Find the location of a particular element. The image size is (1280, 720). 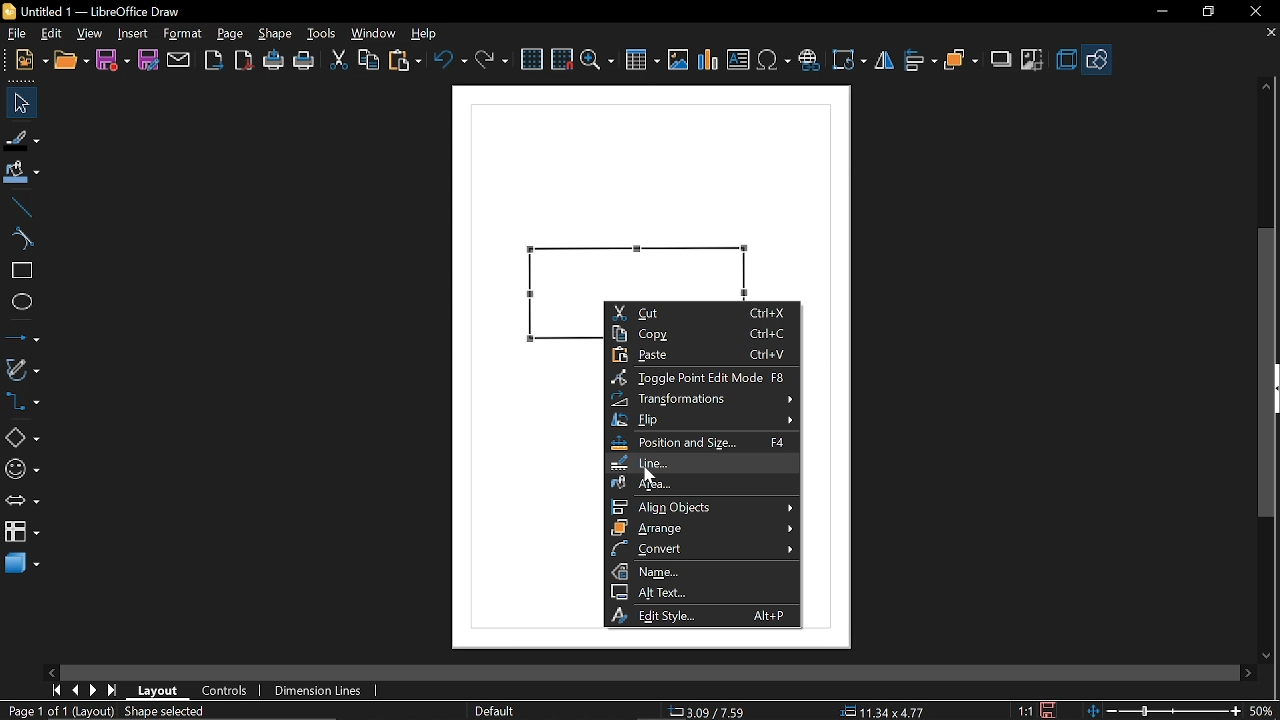

Select is located at coordinates (18, 102).